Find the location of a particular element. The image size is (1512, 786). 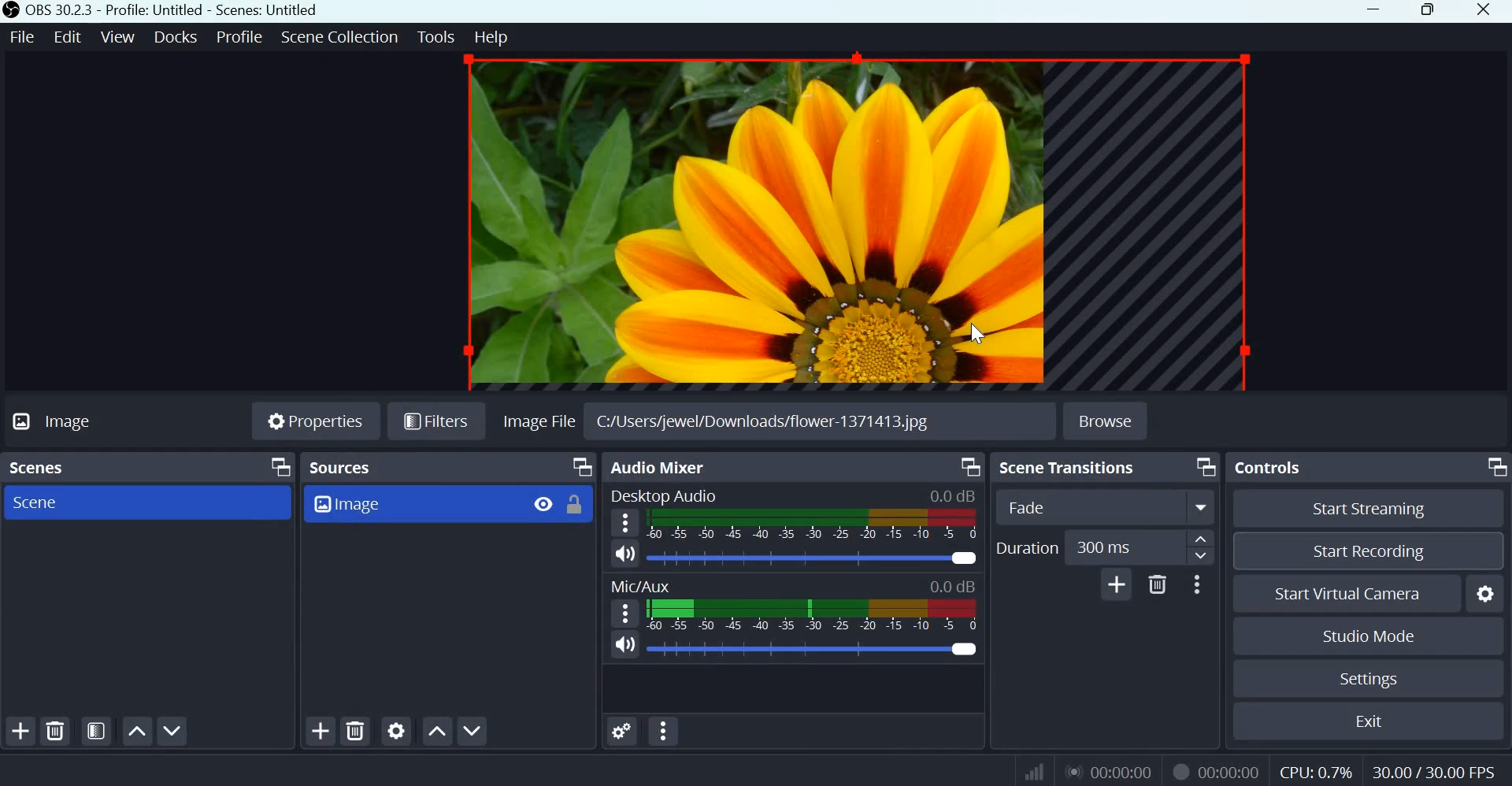

Volume Meter is located at coordinates (813, 525).